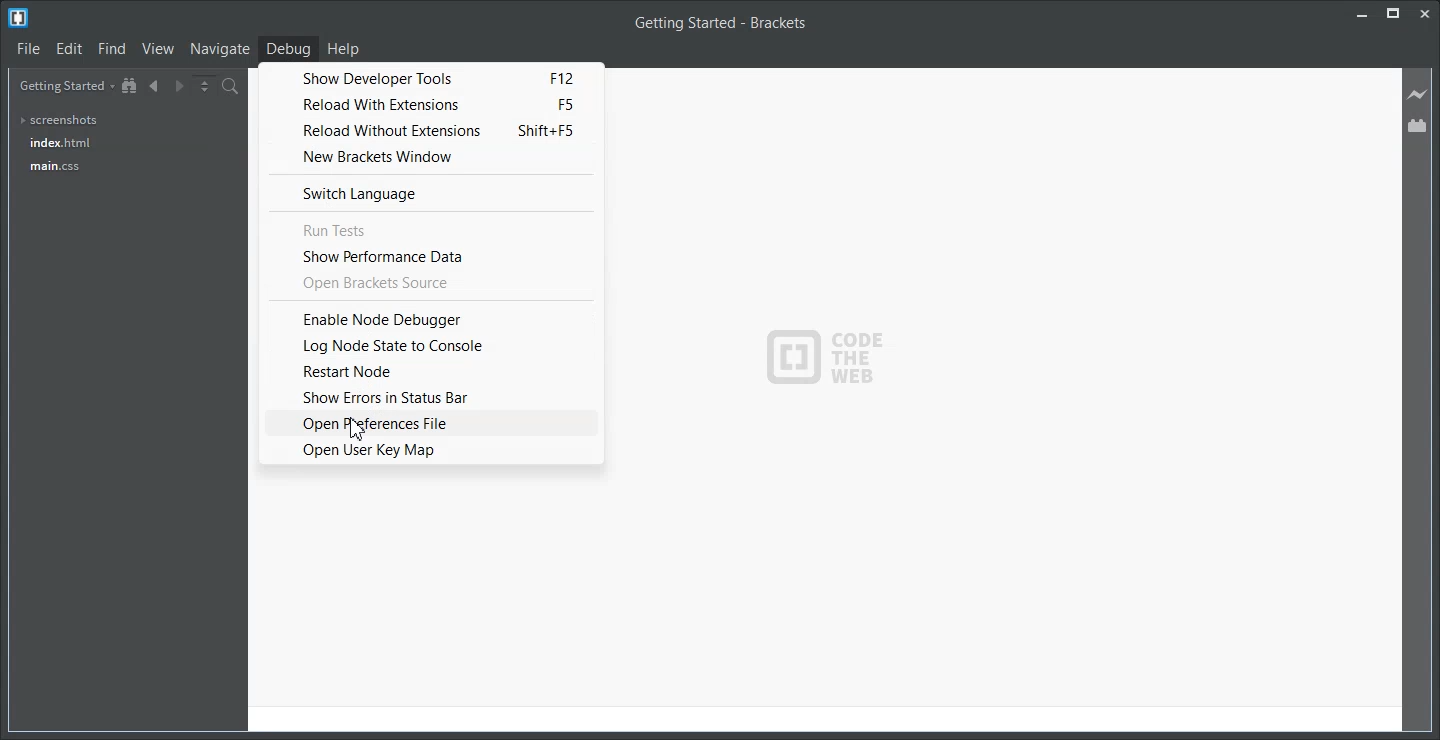 The image size is (1440, 740). I want to click on cursor, so click(358, 433).